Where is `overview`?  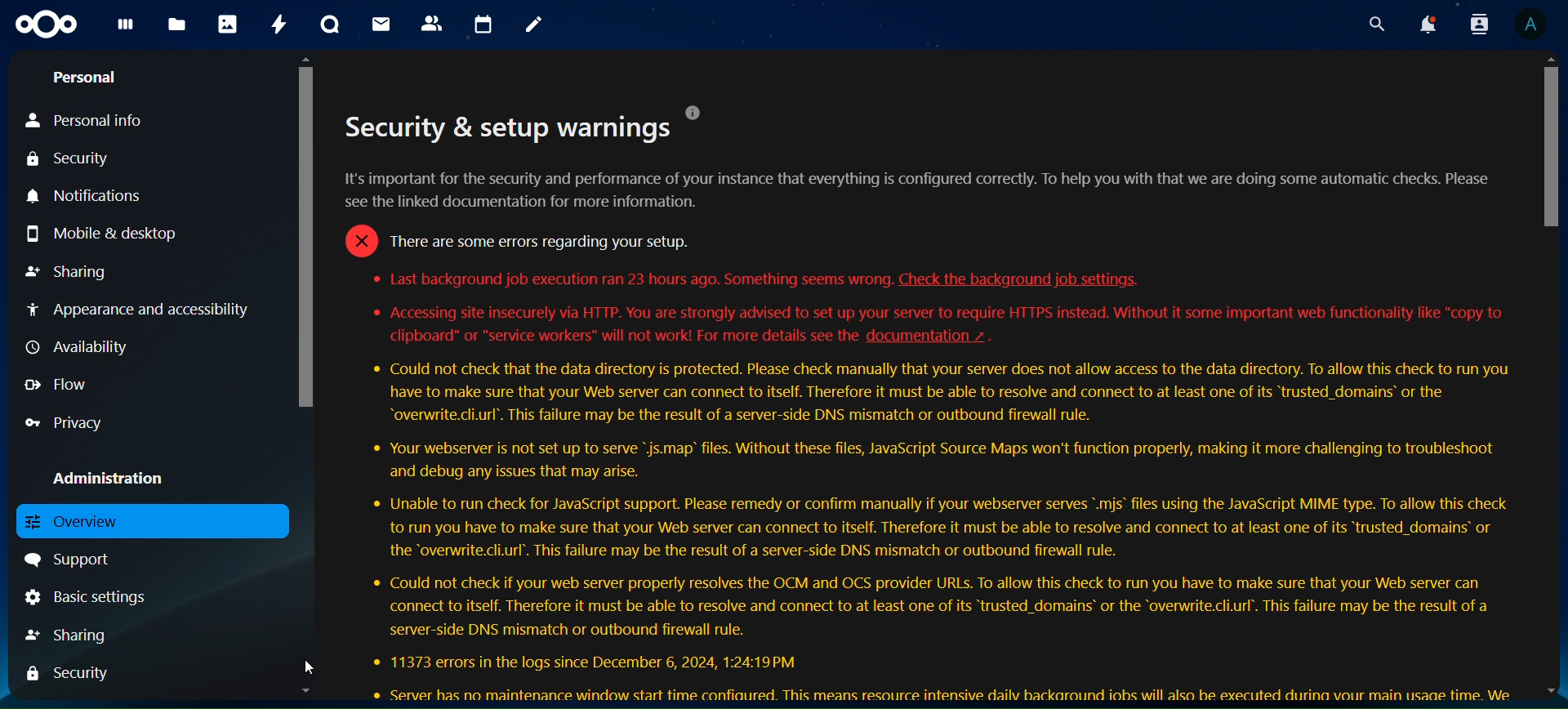 overview is located at coordinates (94, 521).